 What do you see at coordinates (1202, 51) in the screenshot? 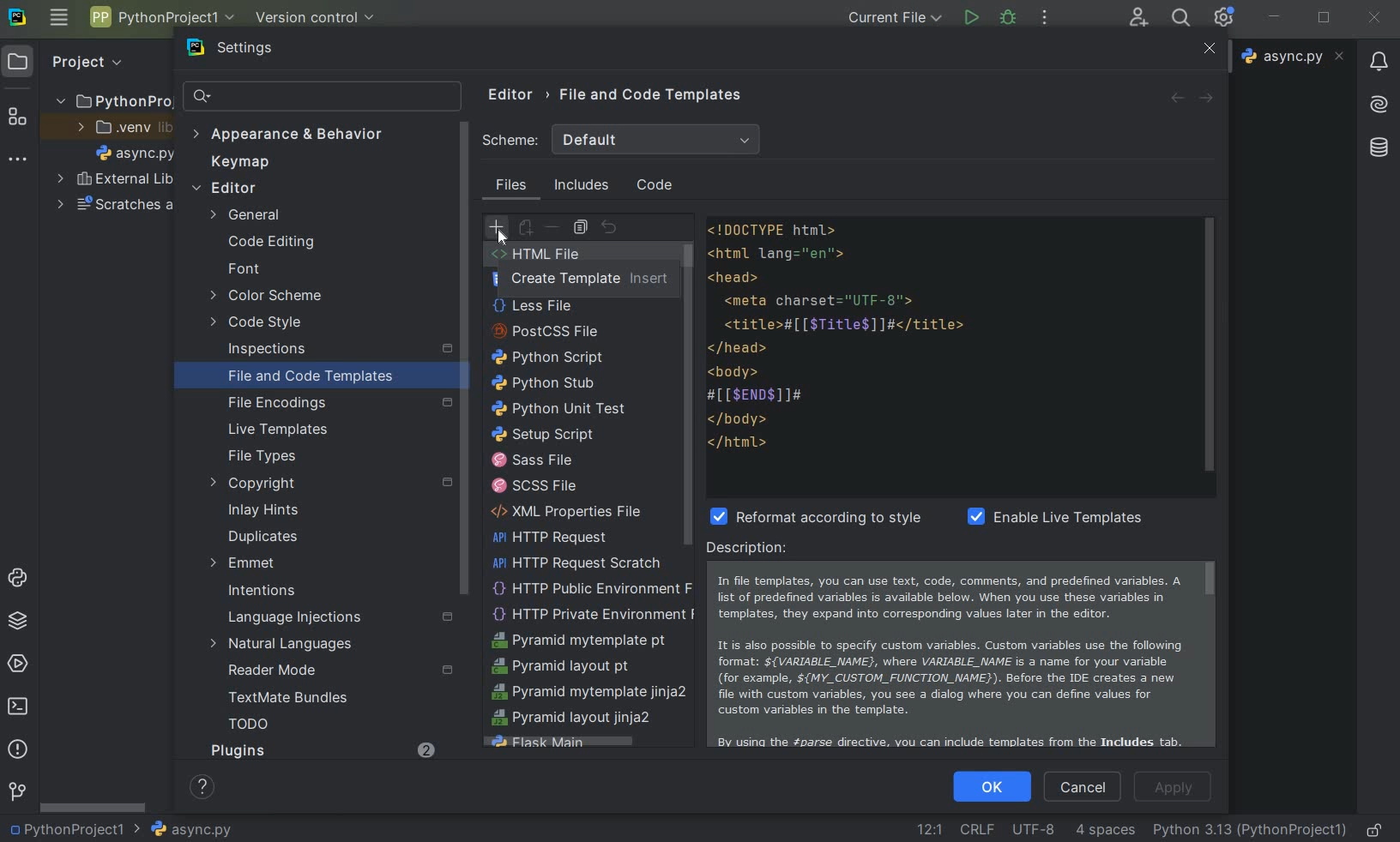
I see `close` at bounding box center [1202, 51].